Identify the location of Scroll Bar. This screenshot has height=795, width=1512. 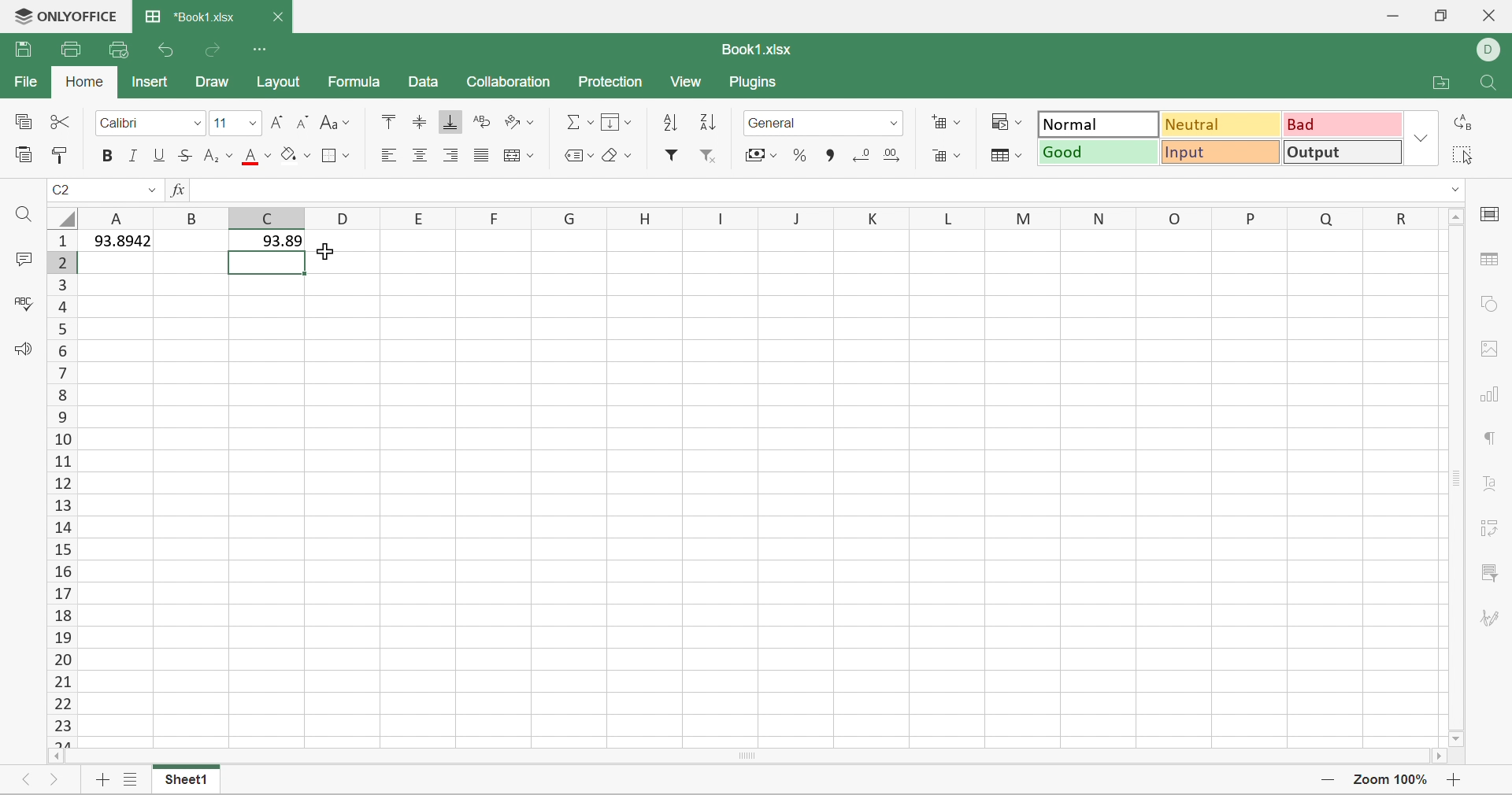
(1453, 480).